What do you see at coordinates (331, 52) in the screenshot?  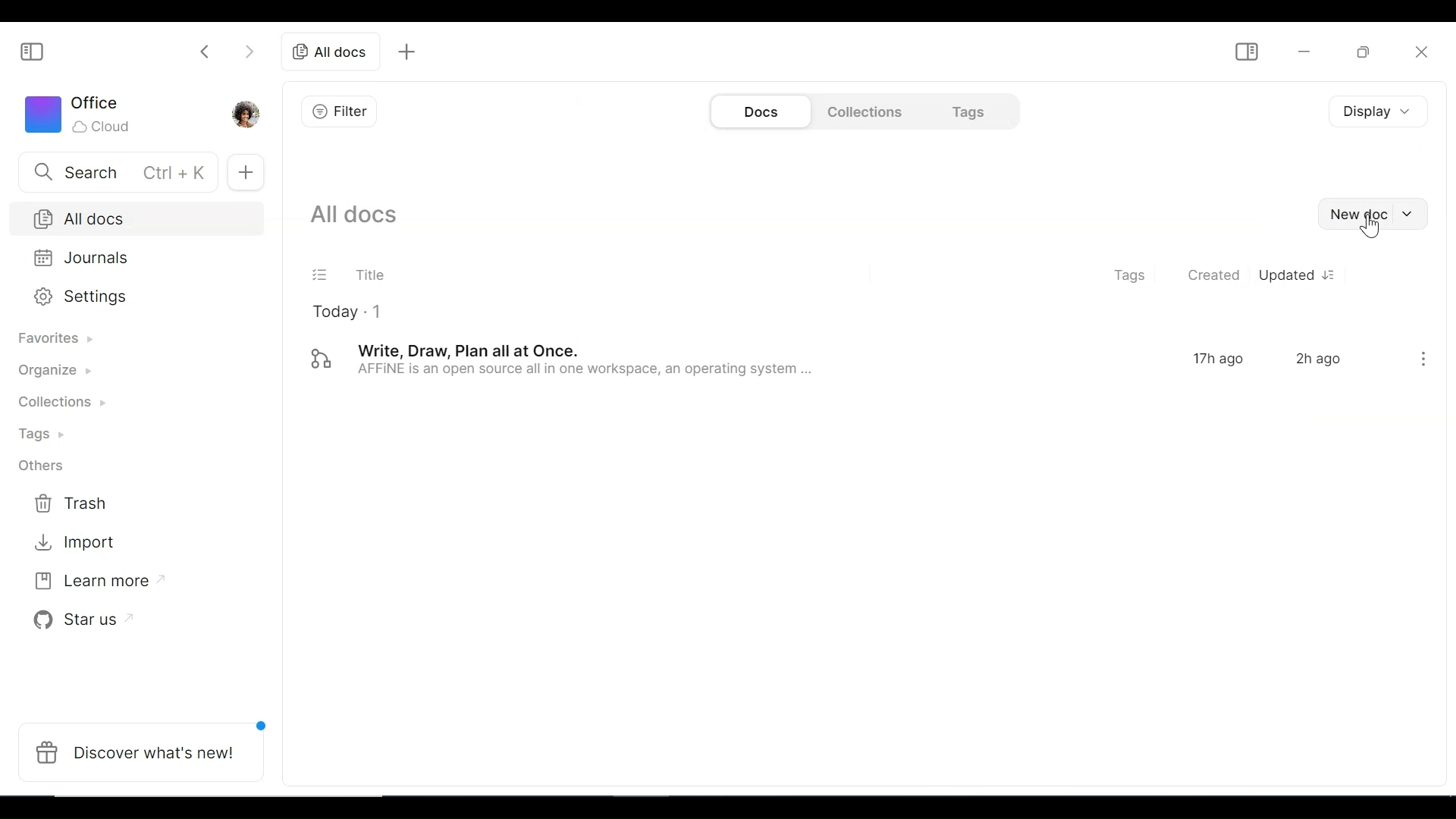 I see `Current tab` at bounding box center [331, 52].